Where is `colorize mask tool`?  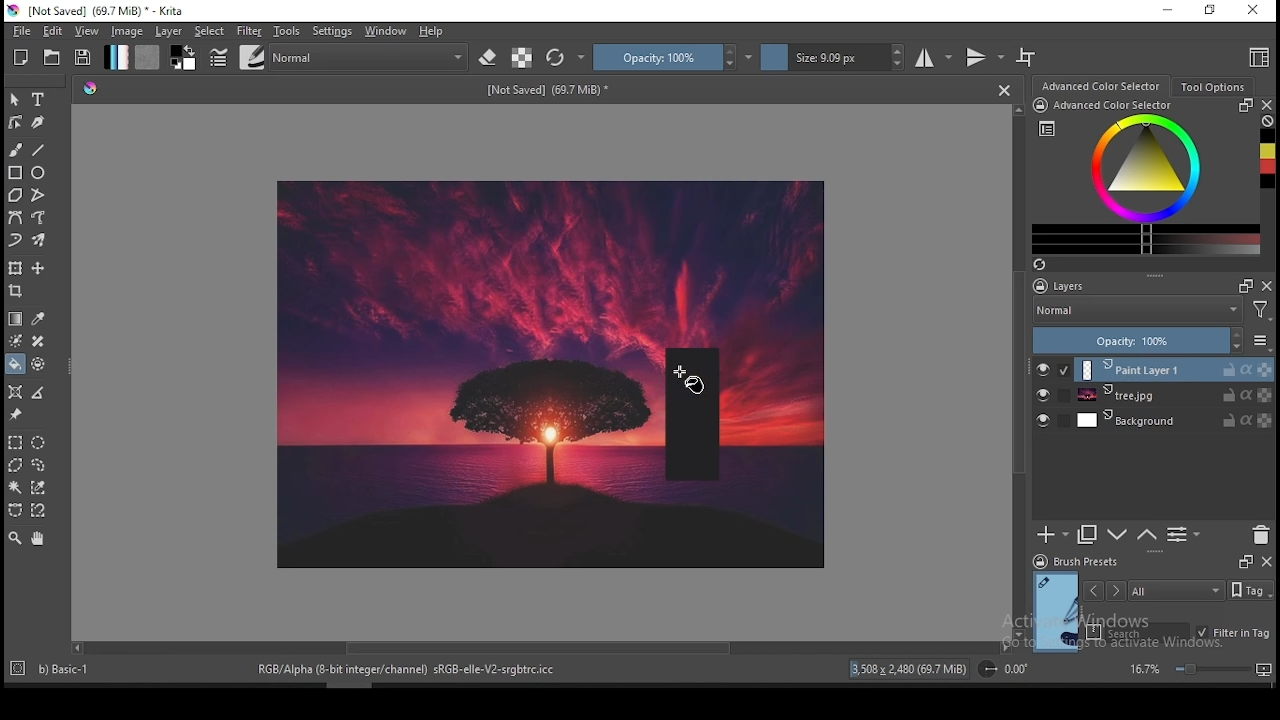
colorize mask tool is located at coordinates (16, 340).